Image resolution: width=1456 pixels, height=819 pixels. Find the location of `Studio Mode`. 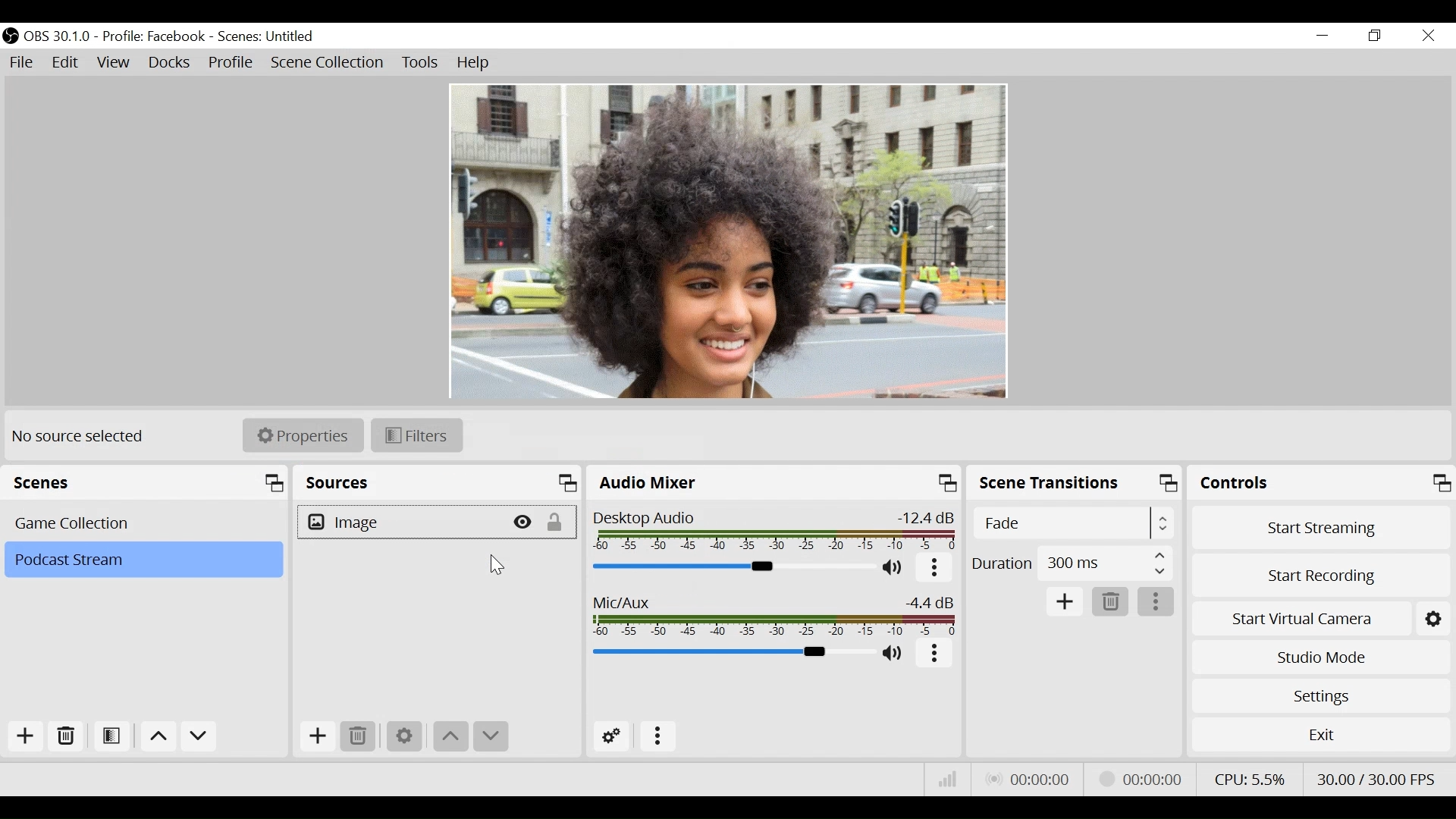

Studio Mode is located at coordinates (1322, 658).